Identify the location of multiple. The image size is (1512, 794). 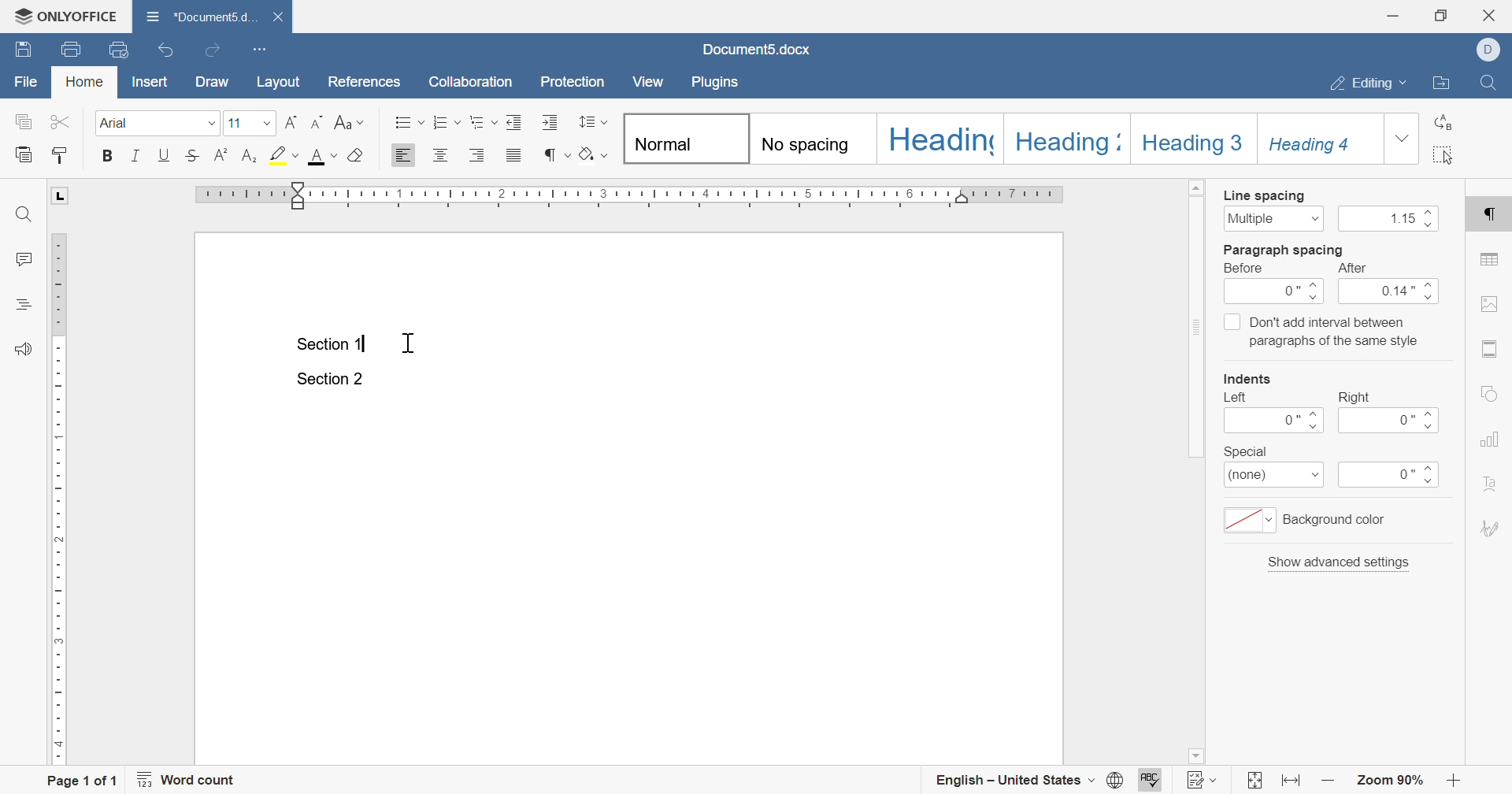
(1273, 218).